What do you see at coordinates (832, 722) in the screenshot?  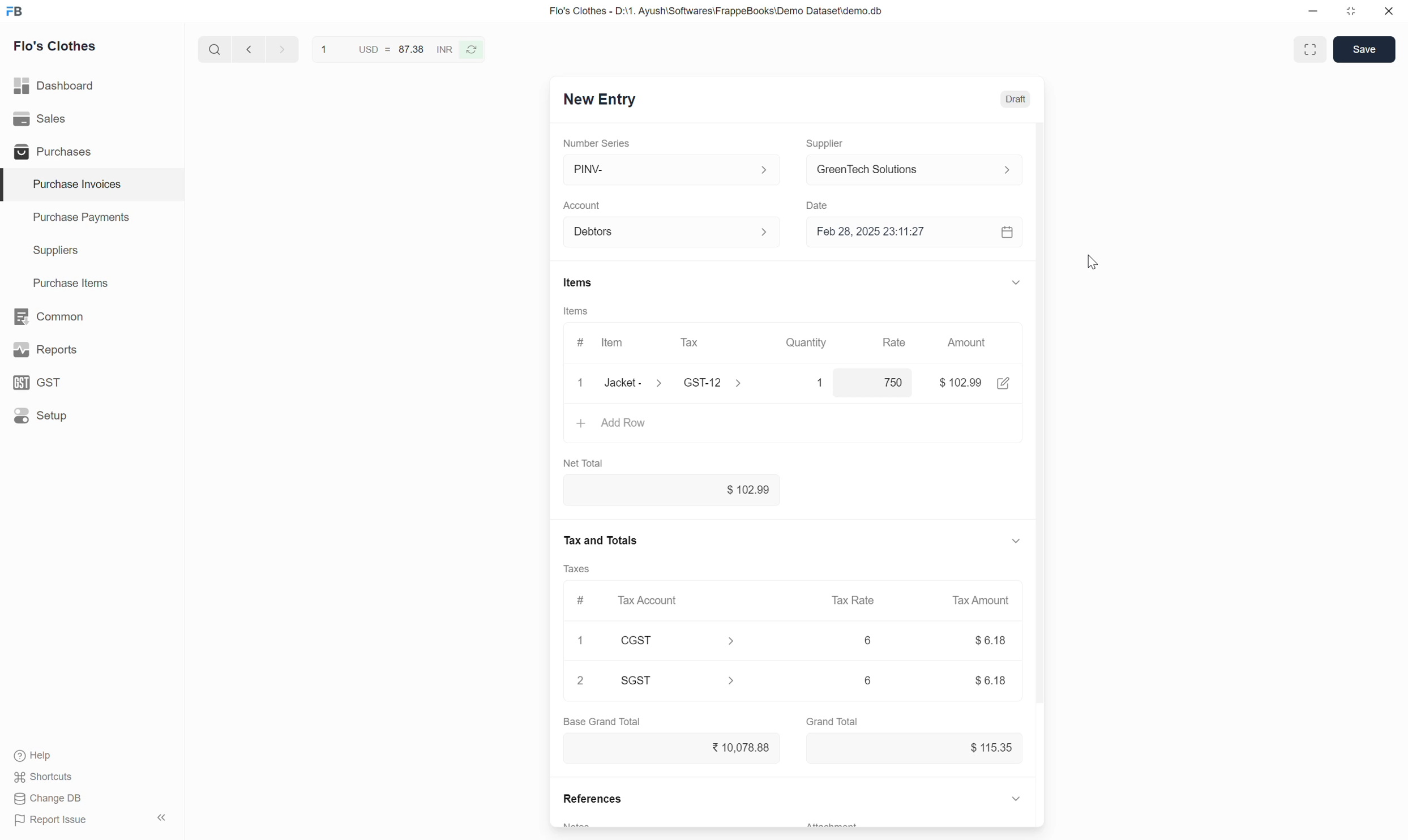 I see `Grand Total` at bounding box center [832, 722].